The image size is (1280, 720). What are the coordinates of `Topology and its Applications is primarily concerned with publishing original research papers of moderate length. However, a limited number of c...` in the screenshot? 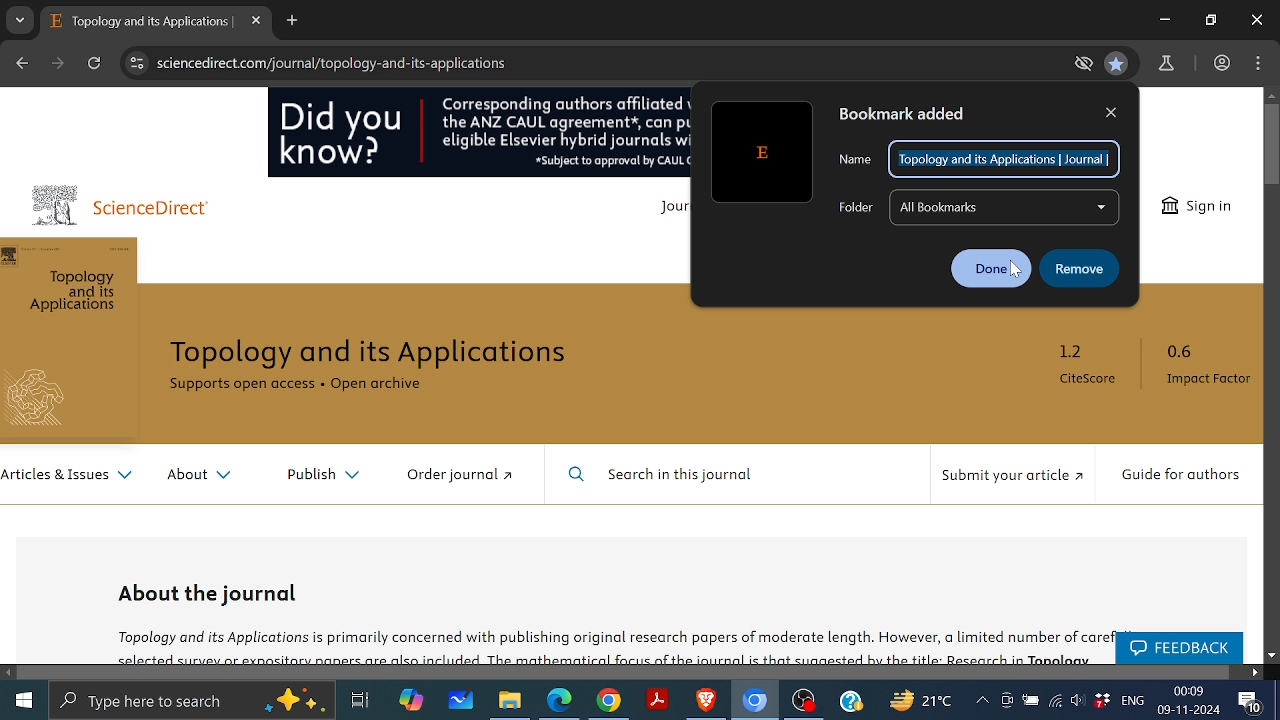 It's located at (607, 644).